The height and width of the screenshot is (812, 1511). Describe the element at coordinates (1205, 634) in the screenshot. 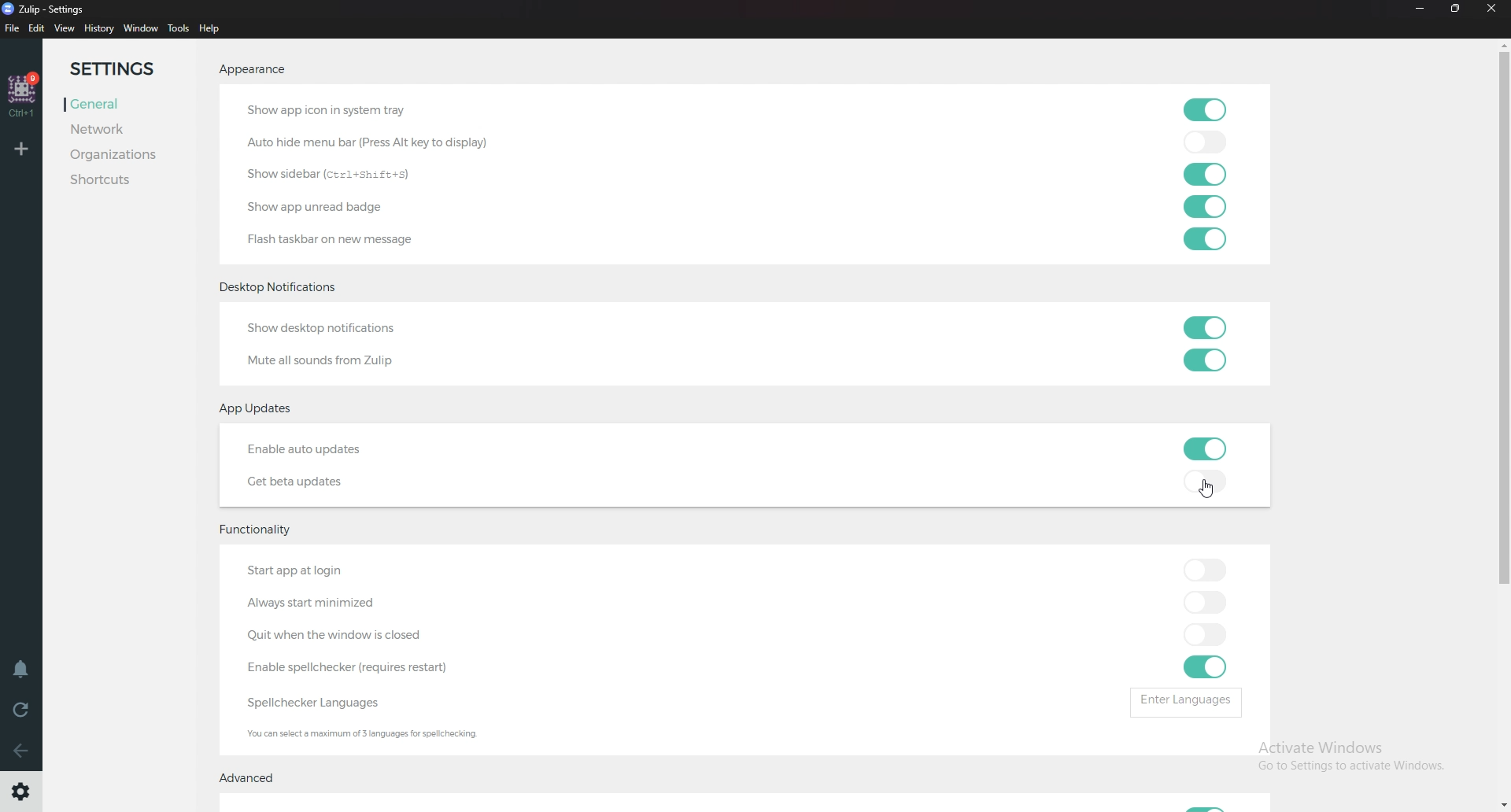

I see `toggle` at that location.